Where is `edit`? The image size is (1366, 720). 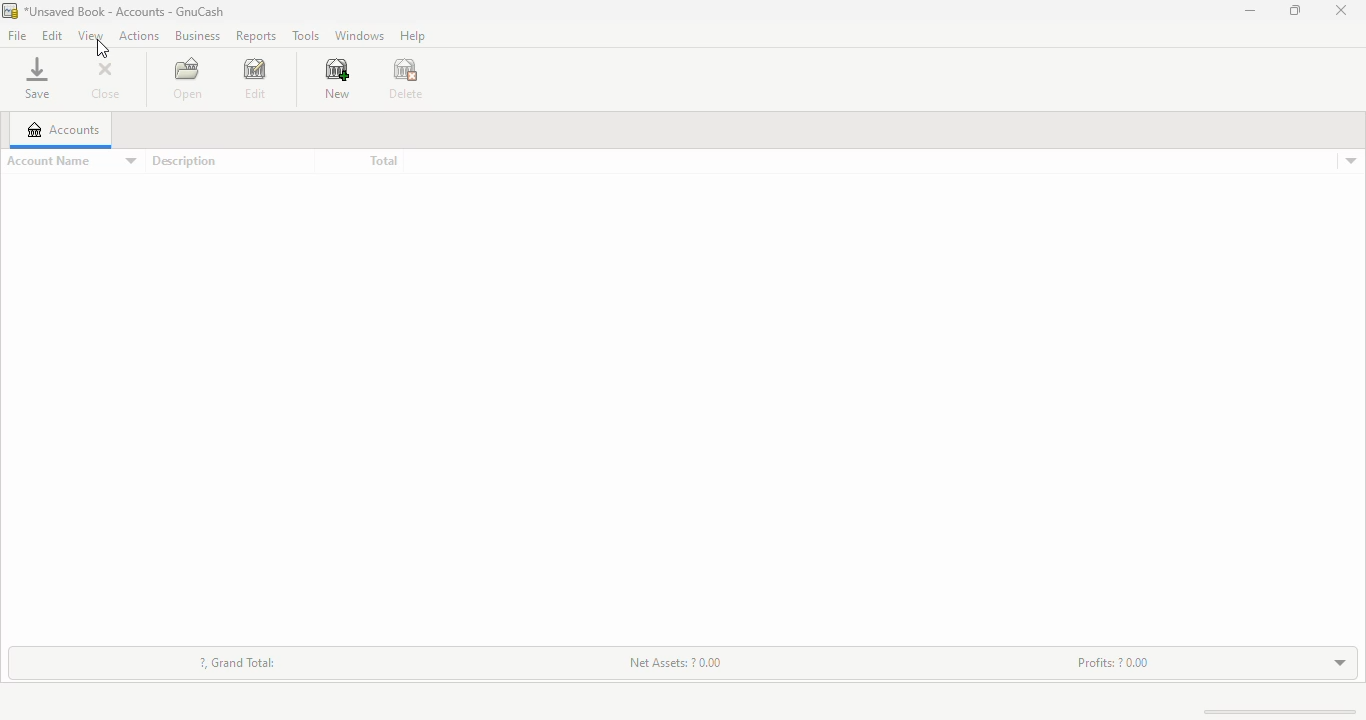
edit is located at coordinates (52, 35).